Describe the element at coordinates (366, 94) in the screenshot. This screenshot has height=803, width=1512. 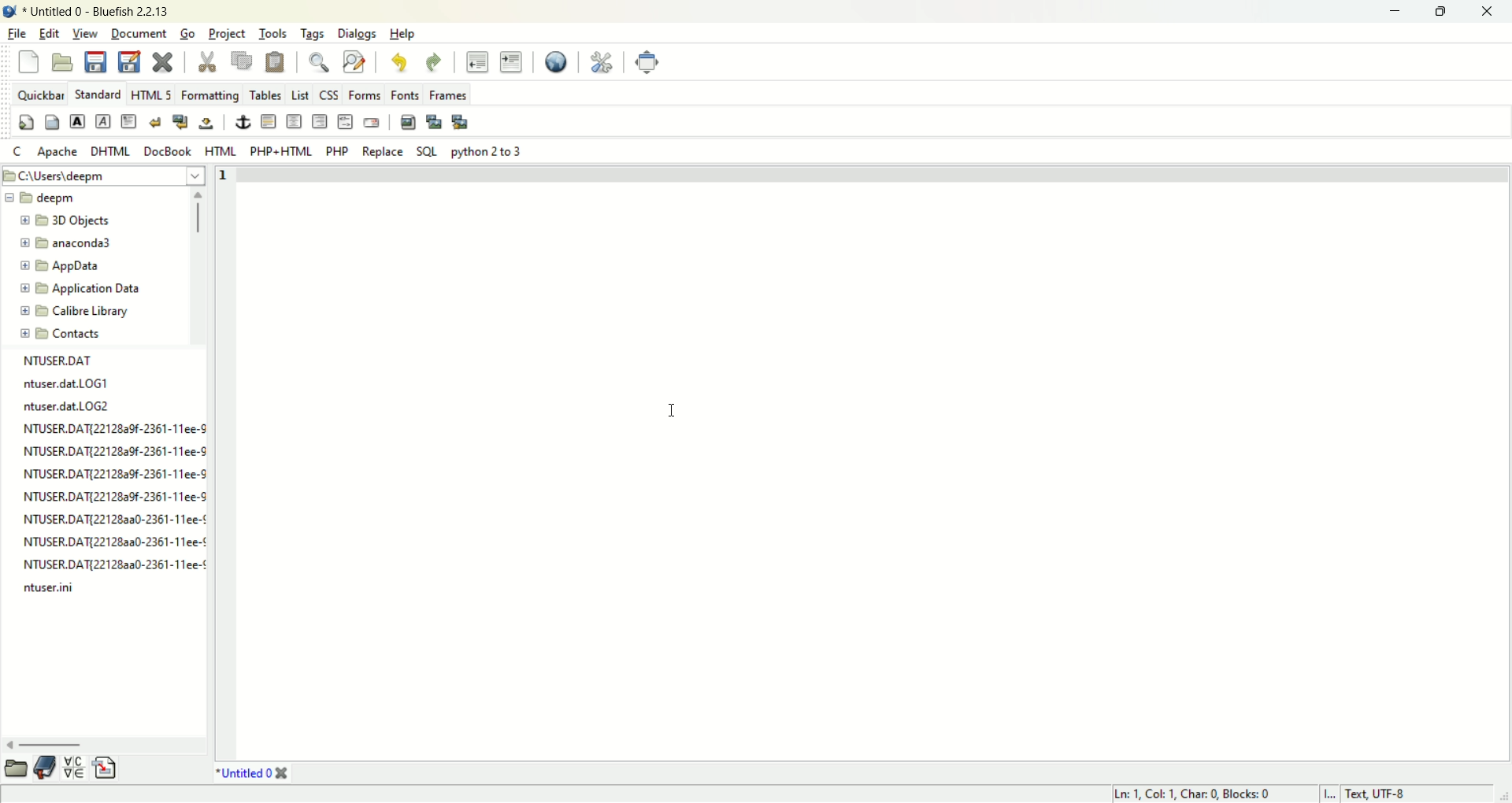
I see `forms` at that location.